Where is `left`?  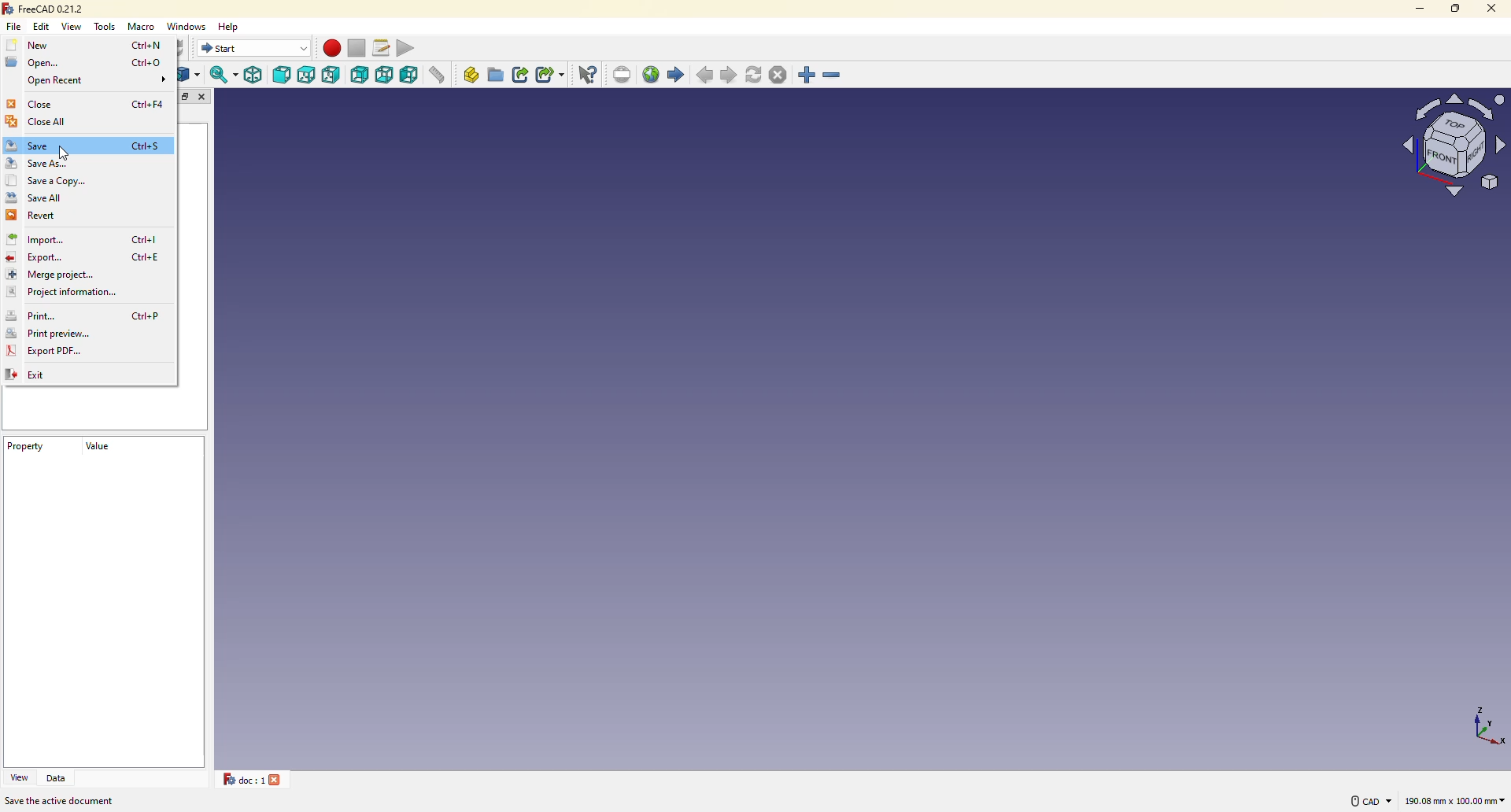 left is located at coordinates (412, 76).